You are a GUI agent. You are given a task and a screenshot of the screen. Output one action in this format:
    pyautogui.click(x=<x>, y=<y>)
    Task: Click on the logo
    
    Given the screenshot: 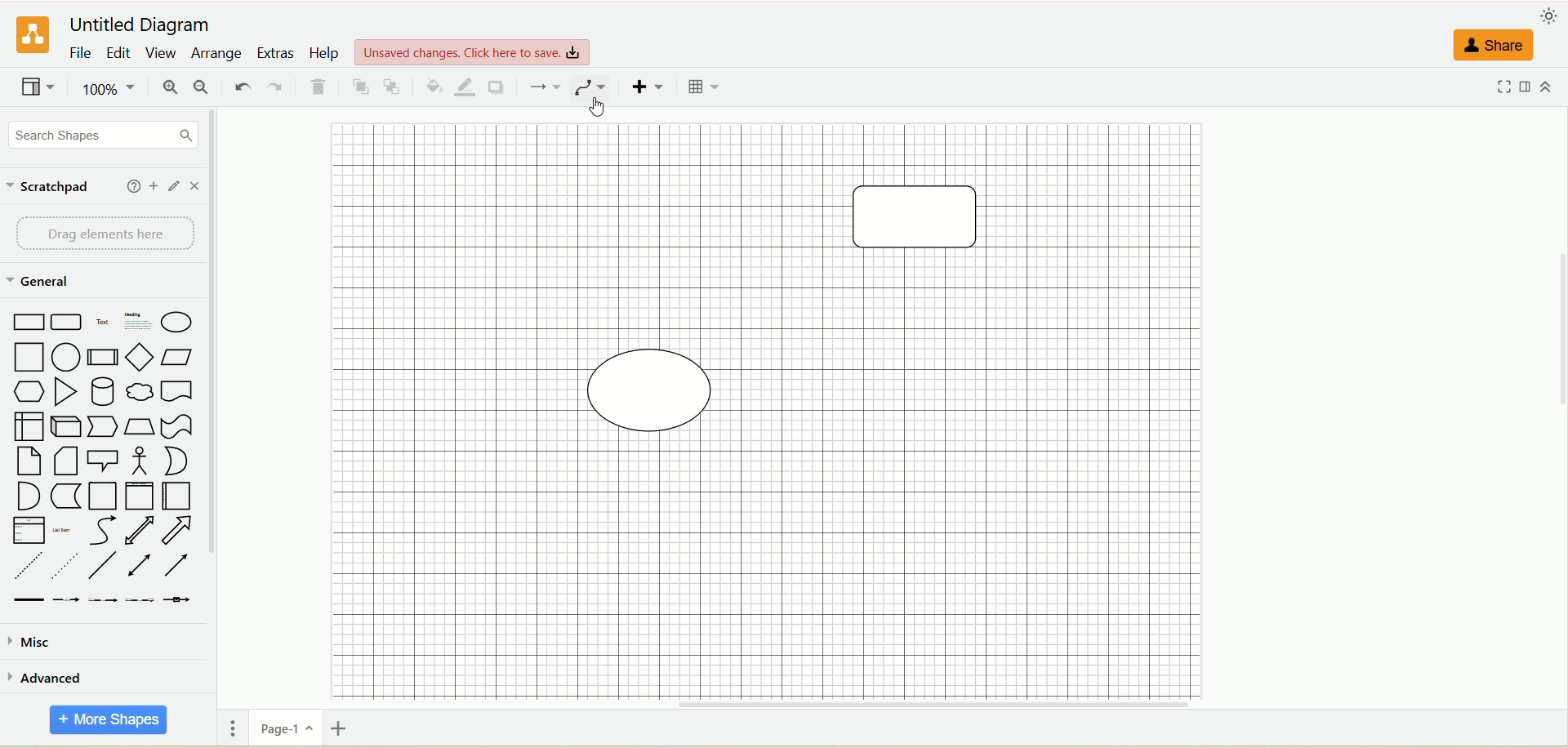 What is the action you would take?
    pyautogui.click(x=30, y=36)
    